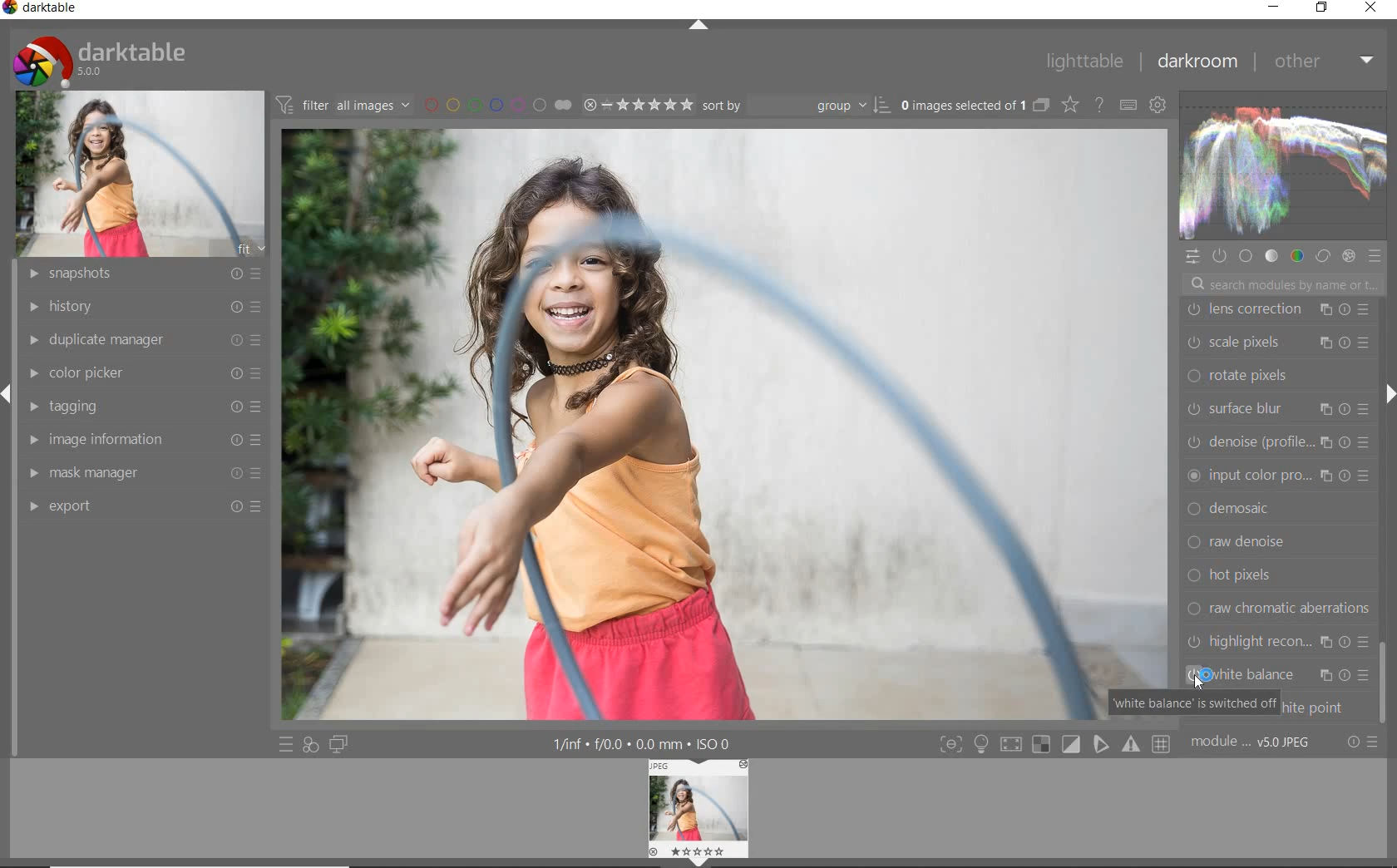  What do you see at coordinates (950, 744) in the screenshot?
I see `toggle mode` at bounding box center [950, 744].